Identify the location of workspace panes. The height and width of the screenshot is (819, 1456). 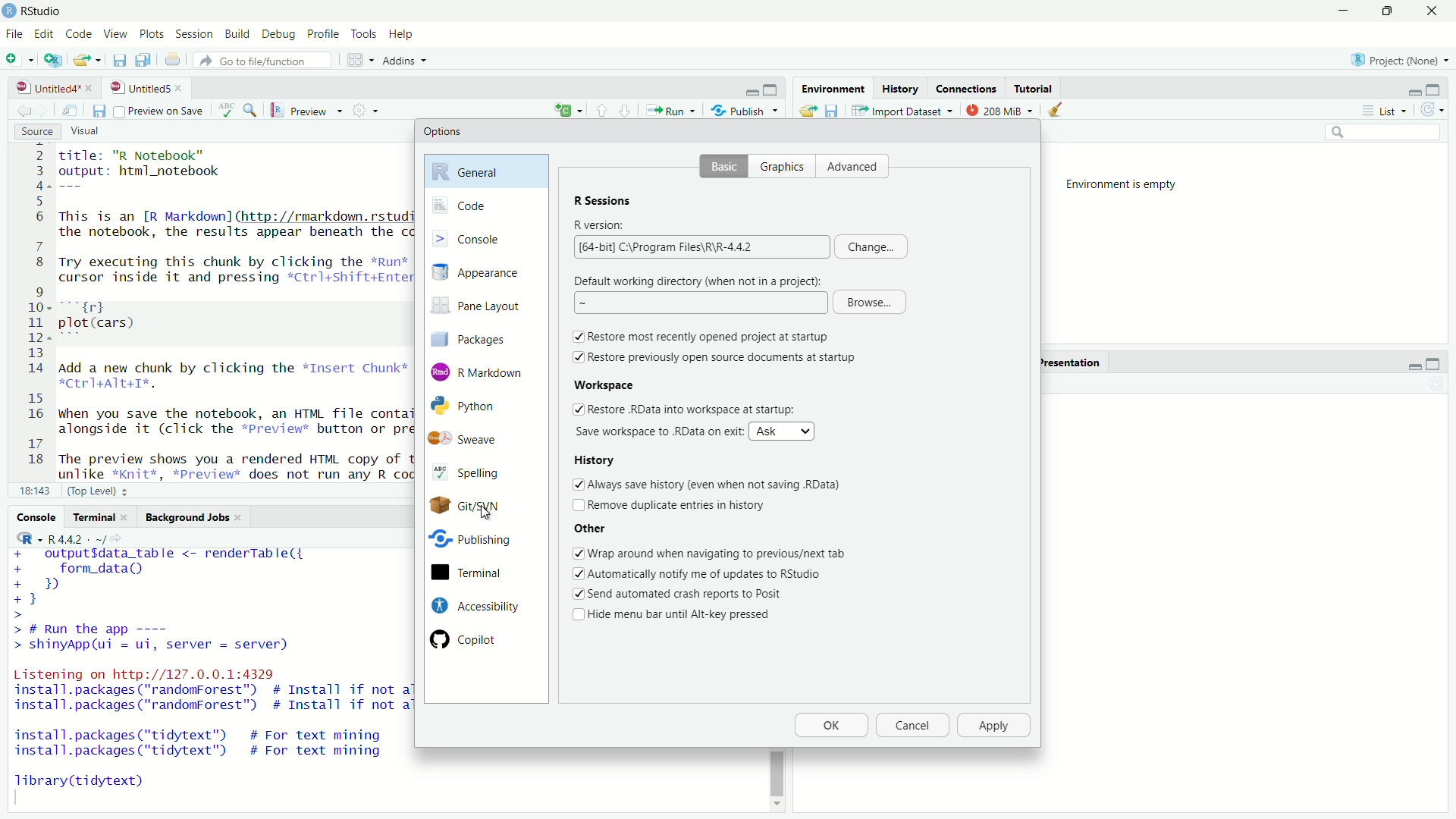
(362, 60).